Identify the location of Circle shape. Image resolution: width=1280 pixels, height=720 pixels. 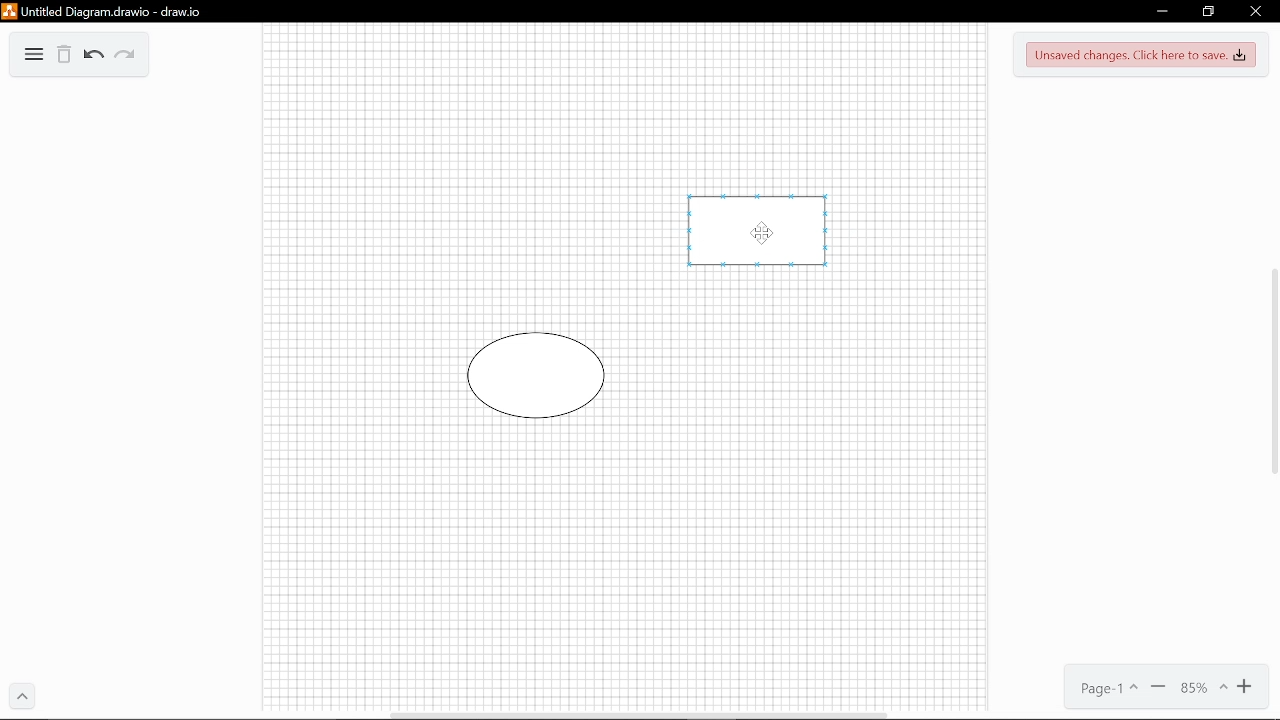
(538, 376).